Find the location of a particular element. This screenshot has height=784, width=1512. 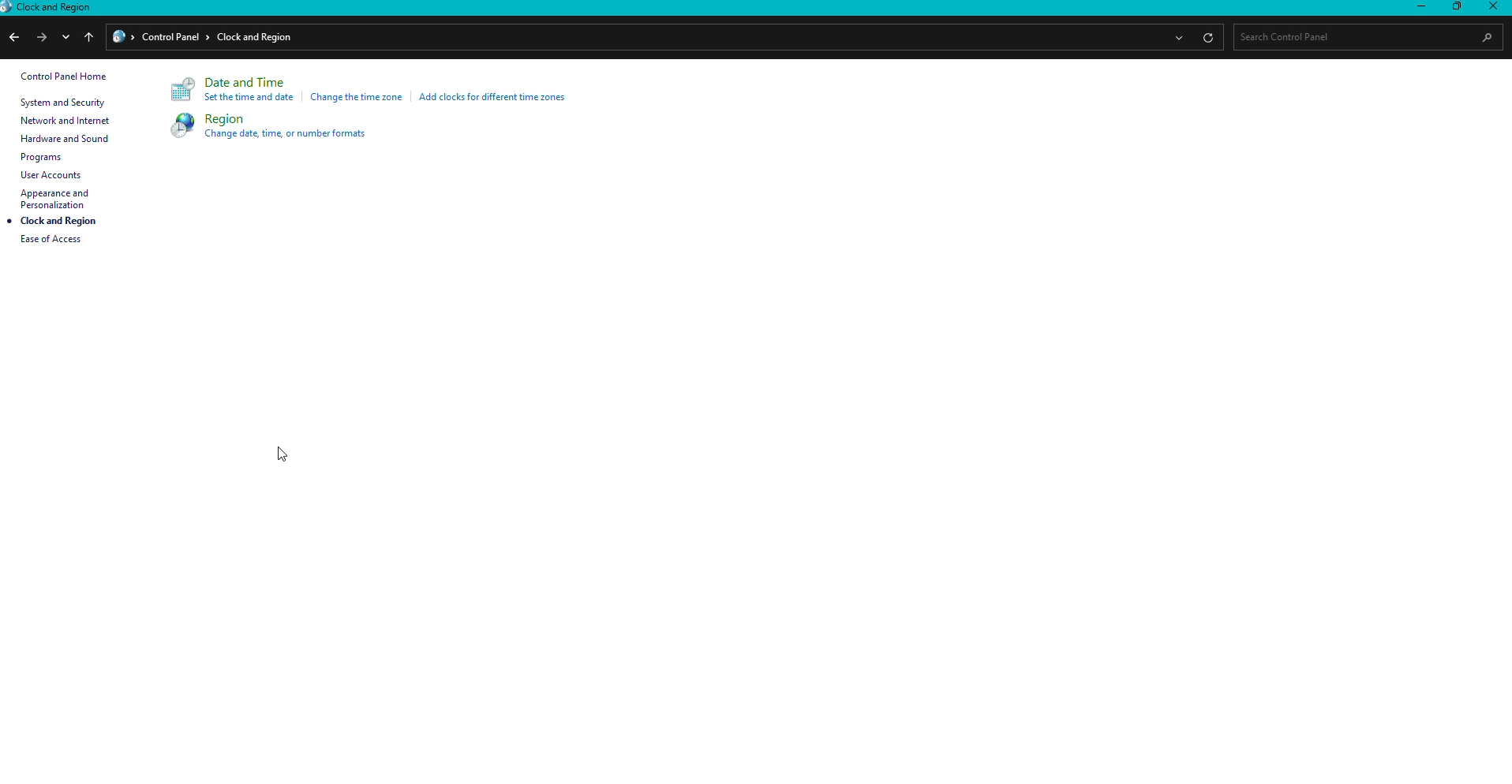

Date and Time is located at coordinates (249, 83).